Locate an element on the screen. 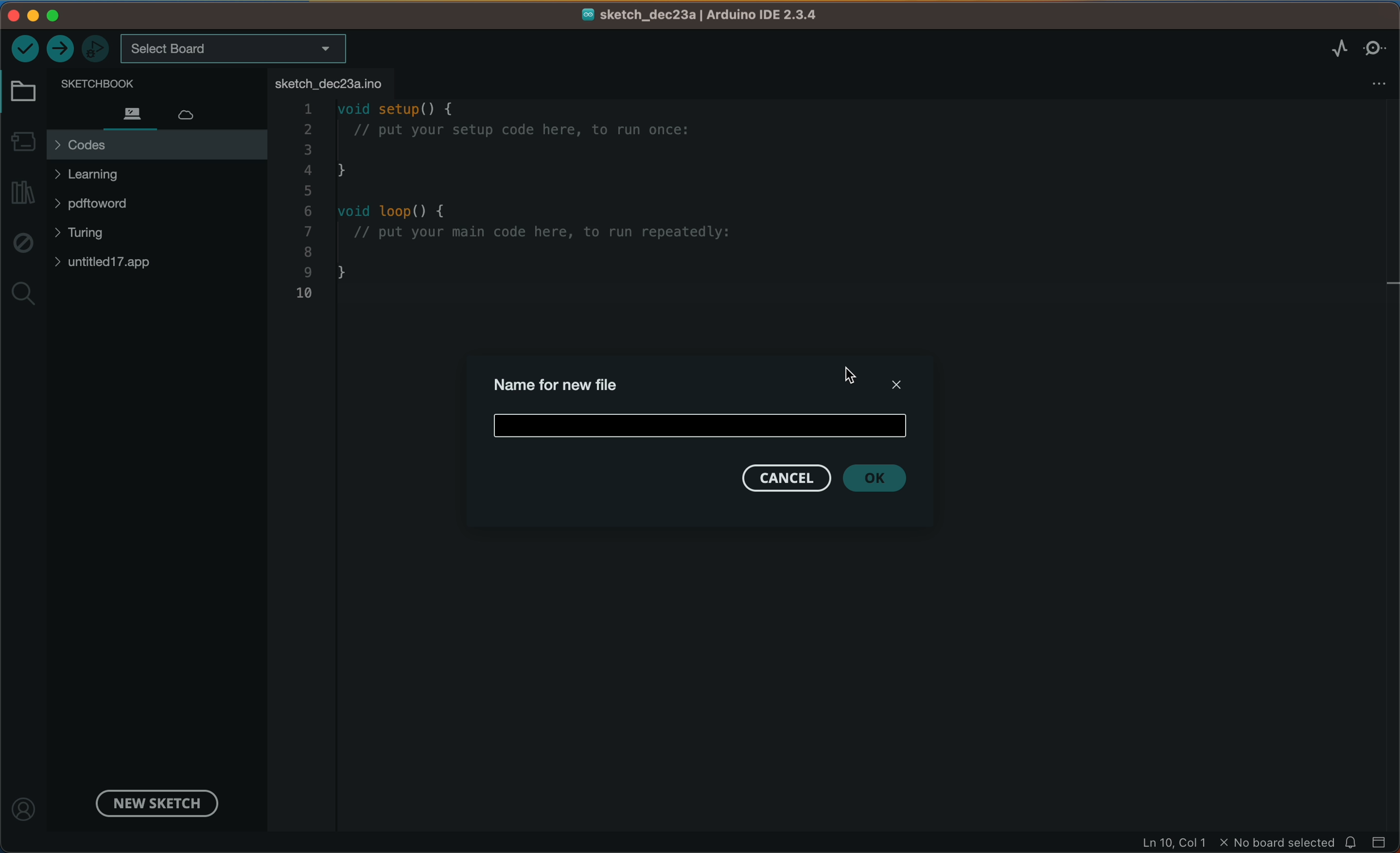 The width and height of the screenshot is (1400, 853). turing is located at coordinates (88, 235).